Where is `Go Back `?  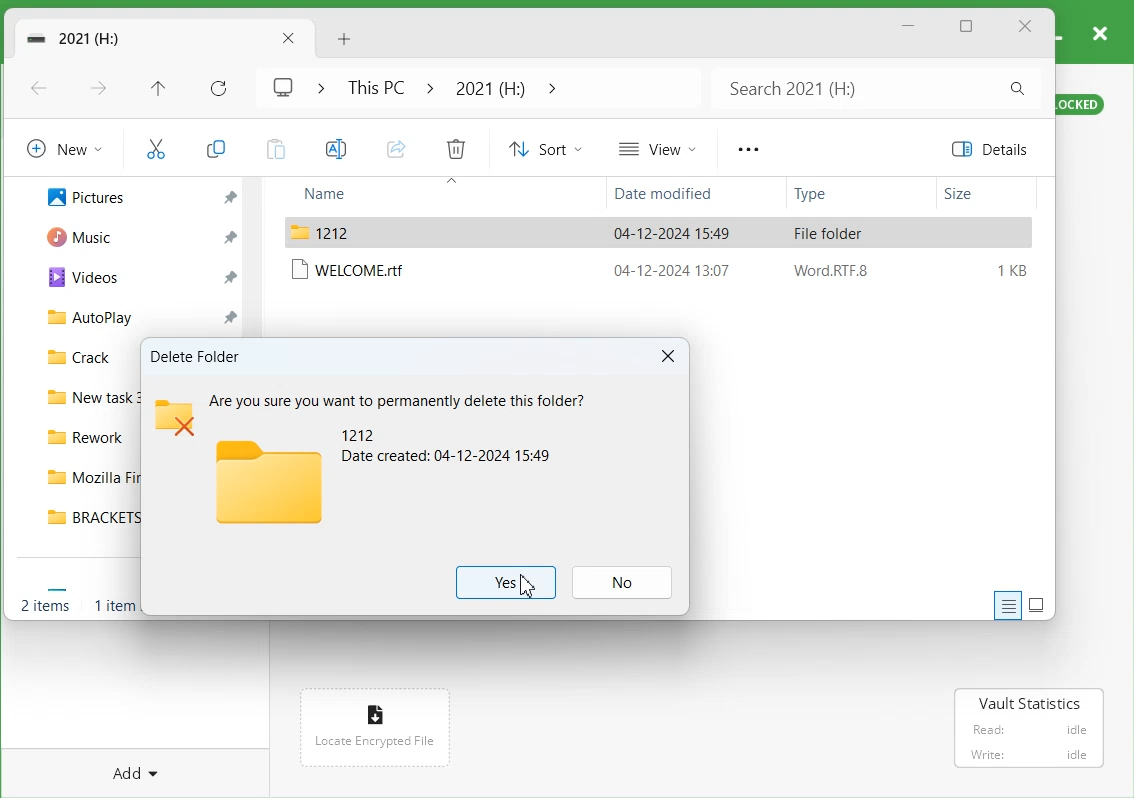
Go Back  is located at coordinates (41, 89).